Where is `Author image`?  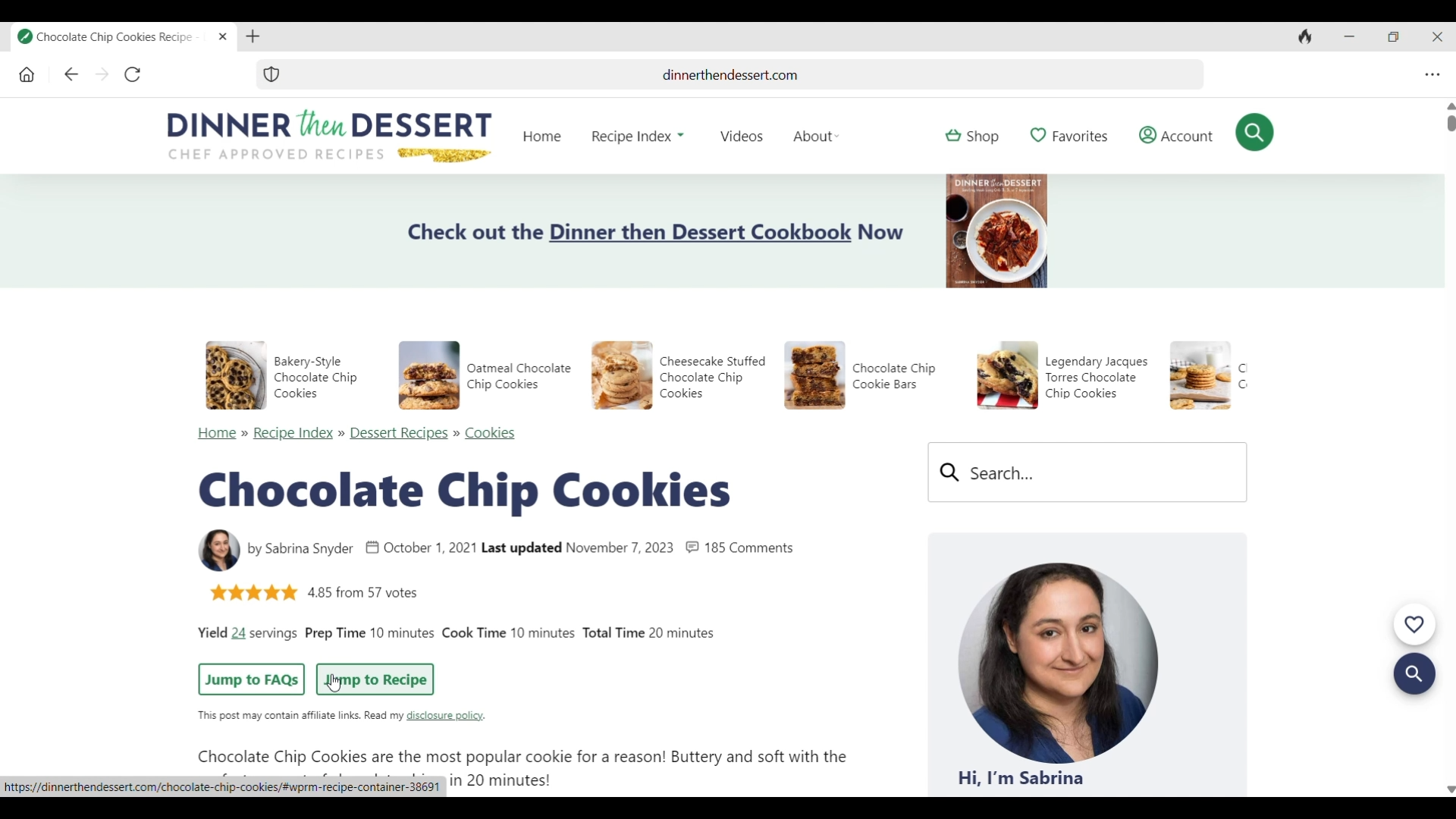
Author image is located at coordinates (219, 551).